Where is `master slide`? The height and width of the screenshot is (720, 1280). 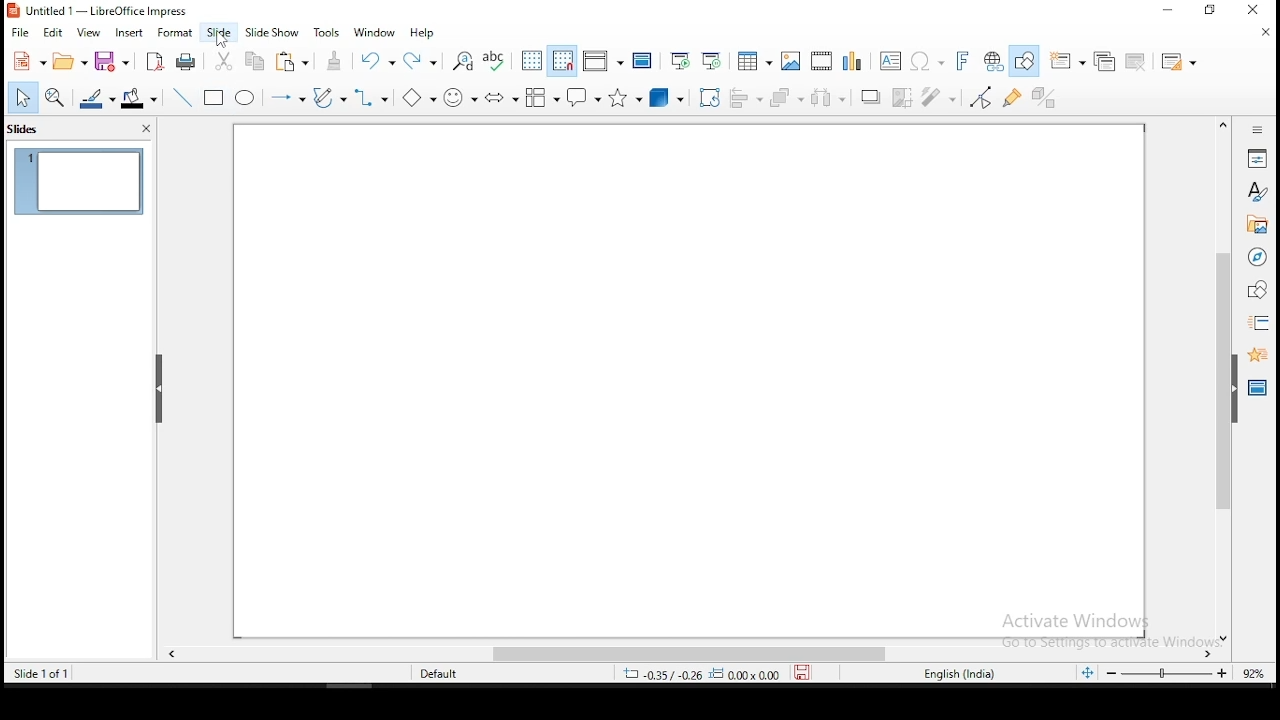 master slide is located at coordinates (643, 58).